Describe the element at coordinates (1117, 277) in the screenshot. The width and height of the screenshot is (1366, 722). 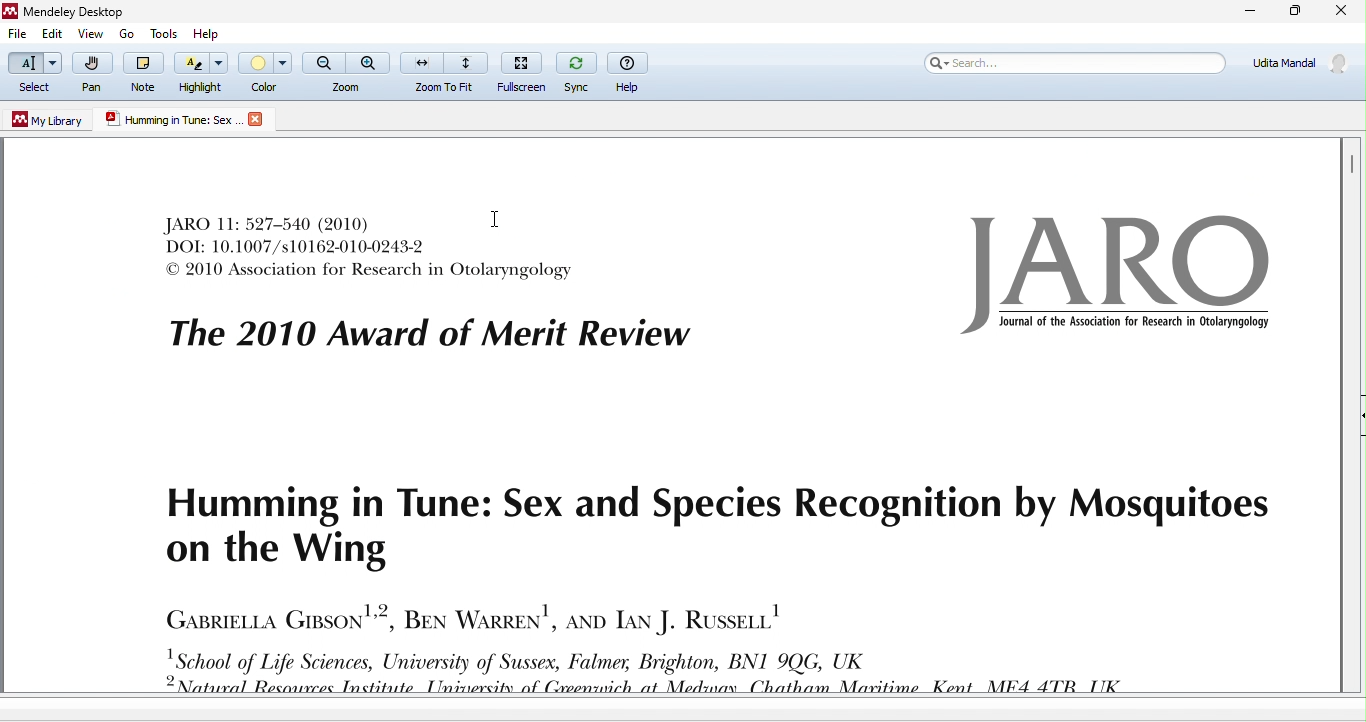
I see `logo` at that location.